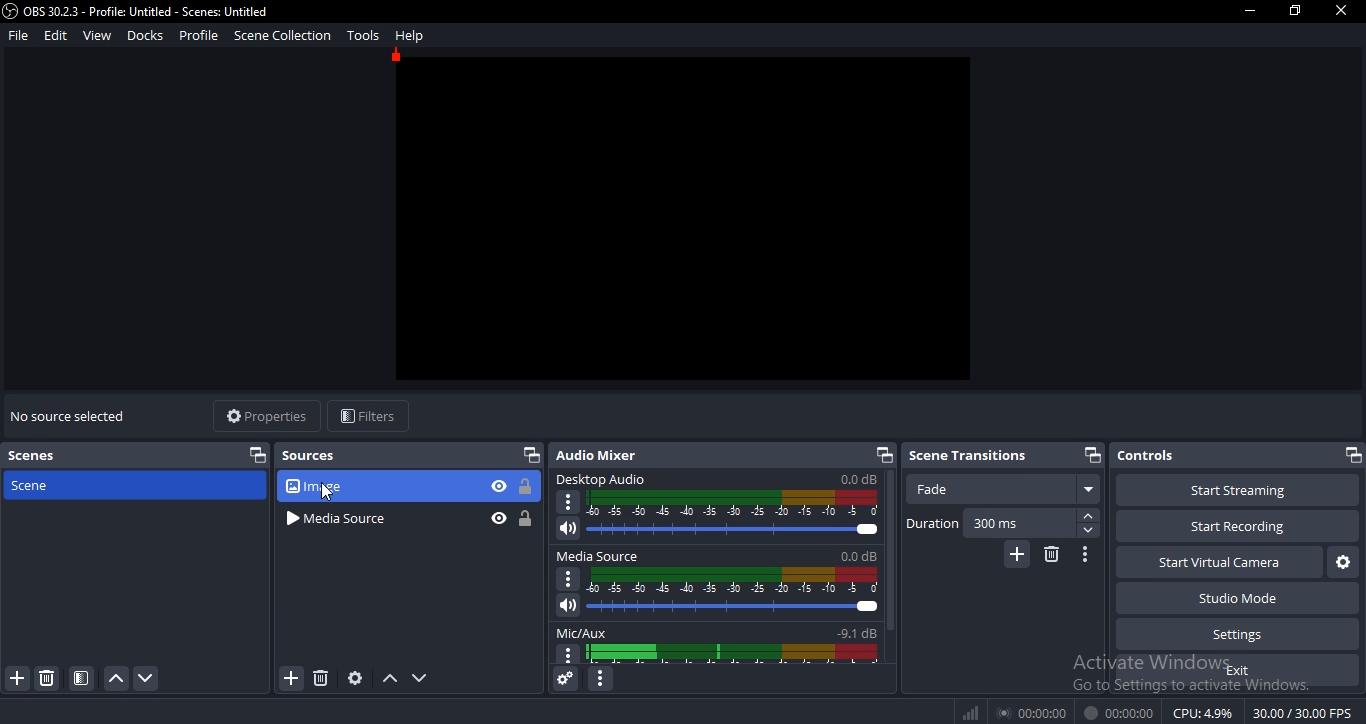  What do you see at coordinates (112, 680) in the screenshot?
I see `move up` at bounding box center [112, 680].